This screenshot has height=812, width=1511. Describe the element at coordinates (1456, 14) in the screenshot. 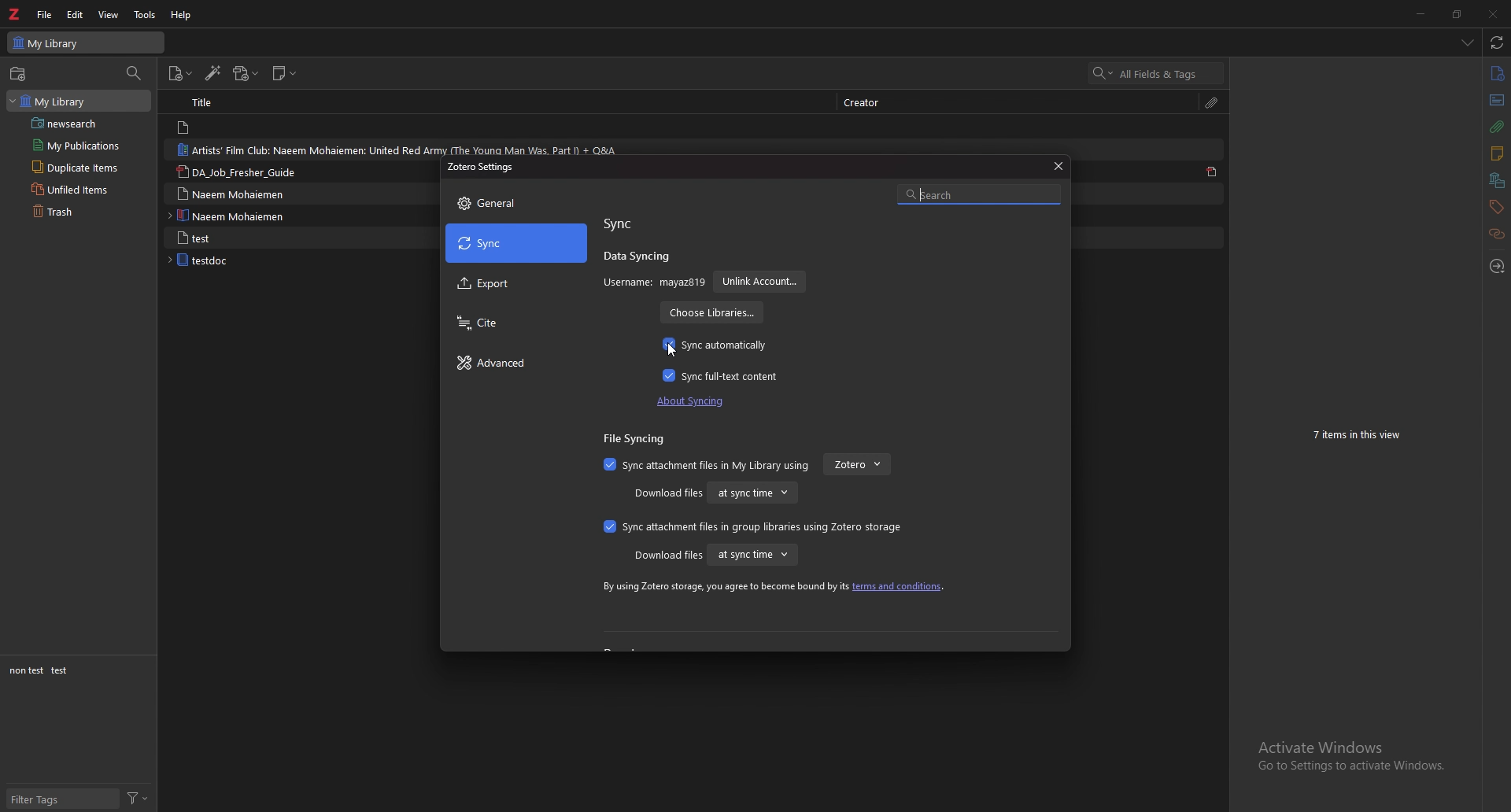

I see `resize` at that location.